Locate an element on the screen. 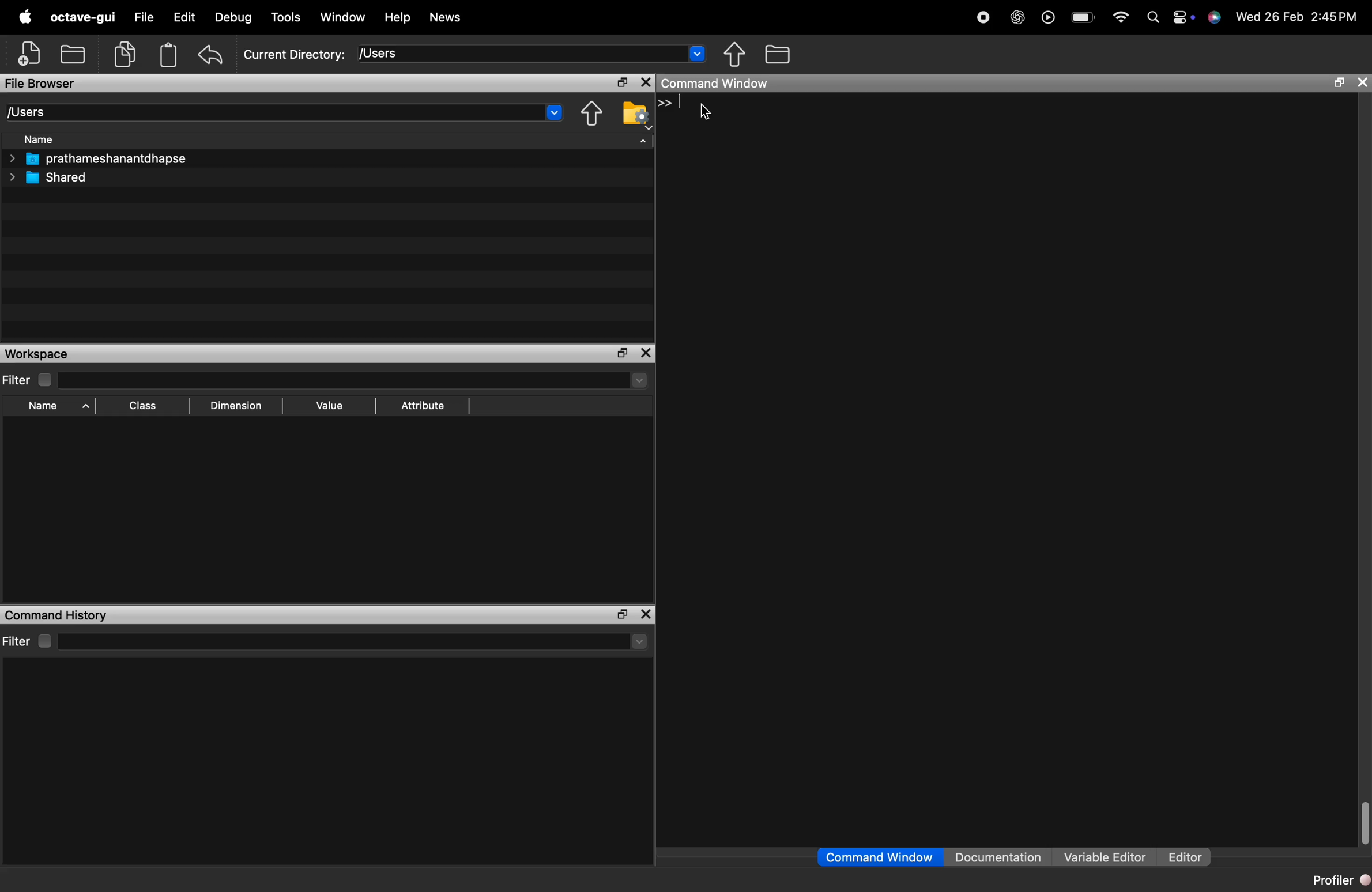 This screenshot has width=1372, height=892. Command Window is located at coordinates (865, 855).